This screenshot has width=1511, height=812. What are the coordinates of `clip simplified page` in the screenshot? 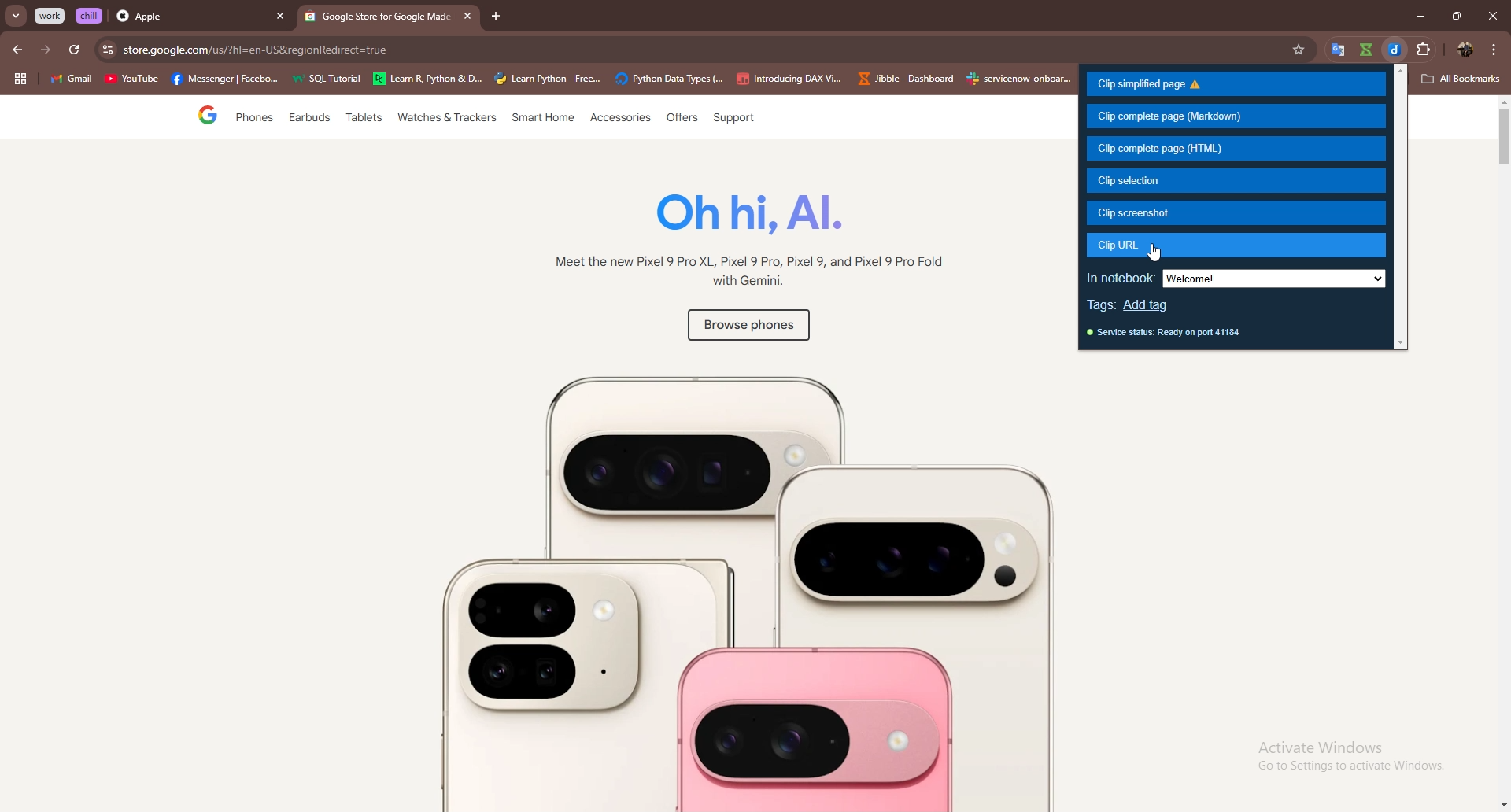 It's located at (1236, 85).